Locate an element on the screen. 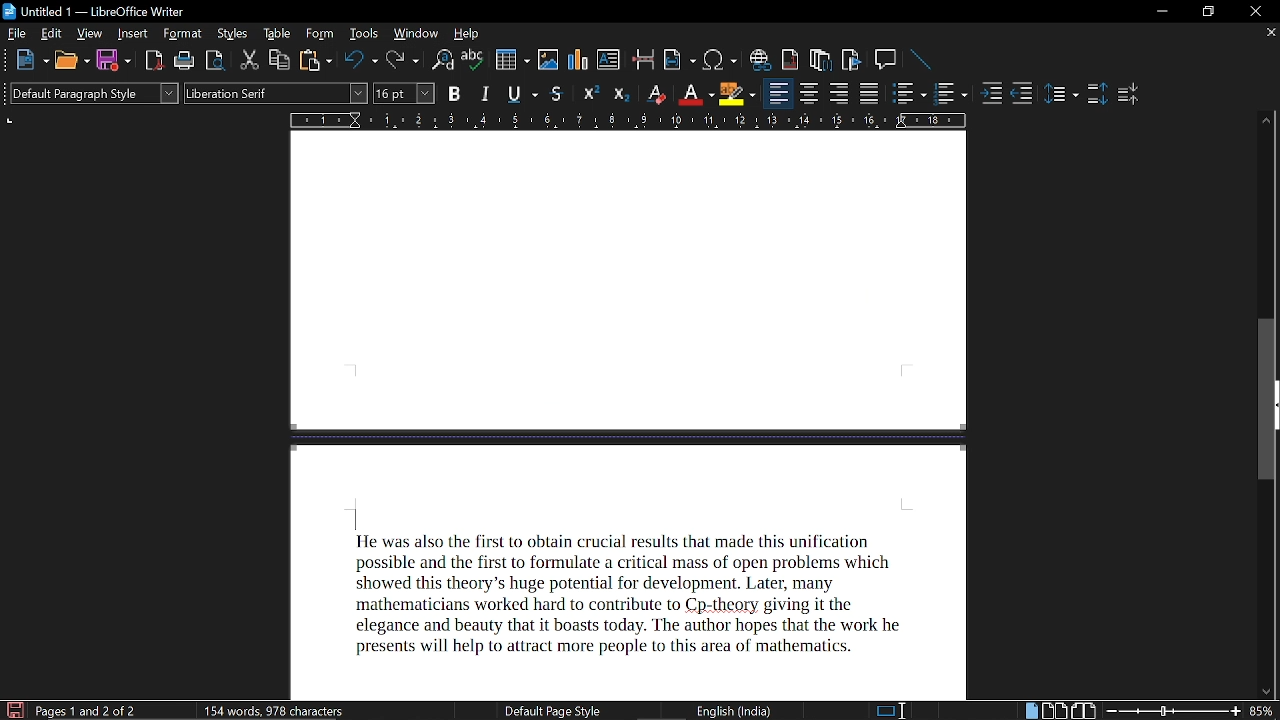  Insert endnote is located at coordinates (821, 61).